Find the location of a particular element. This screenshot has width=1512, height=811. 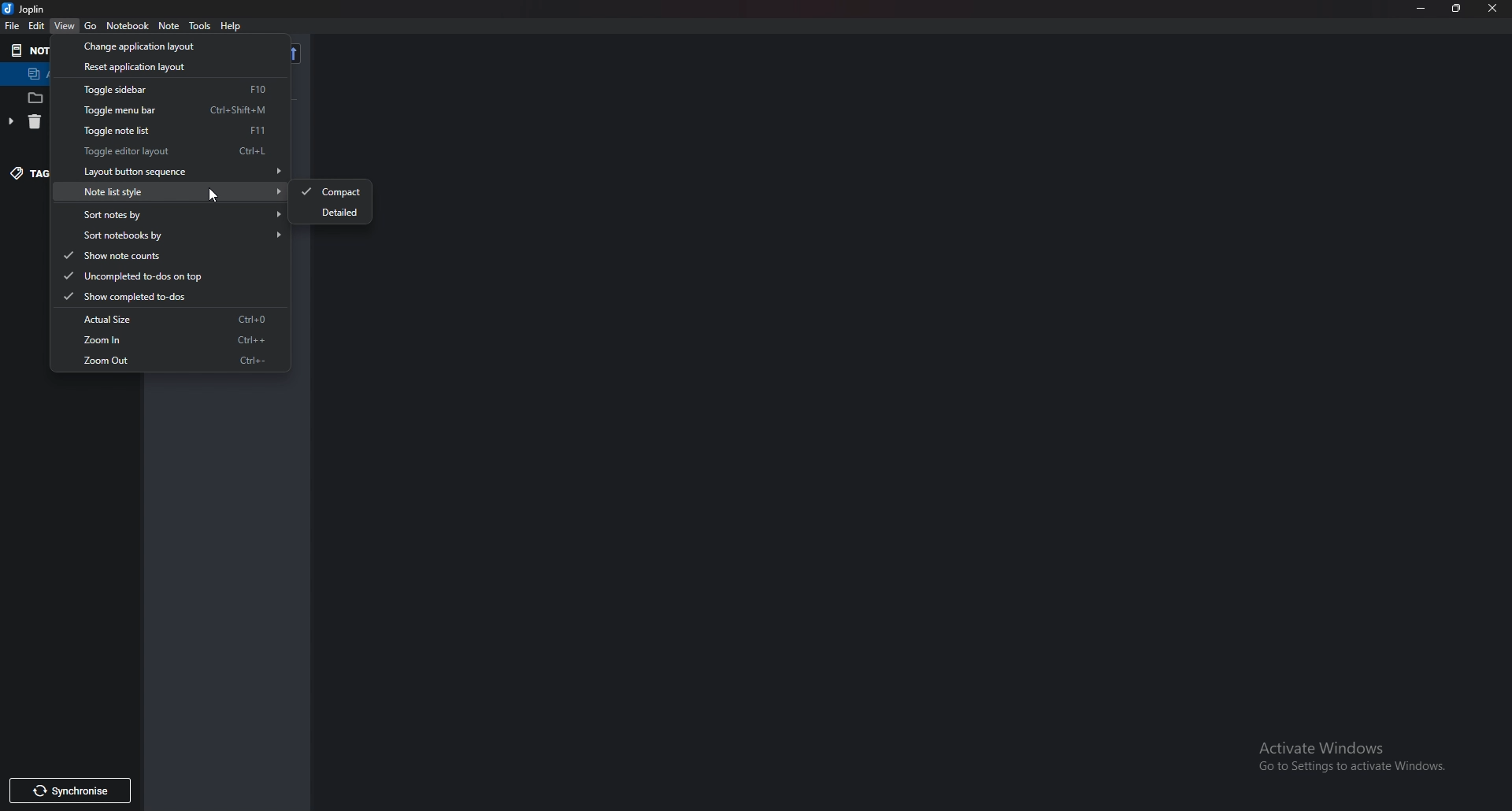

‘Show note counts is located at coordinates (151, 255).